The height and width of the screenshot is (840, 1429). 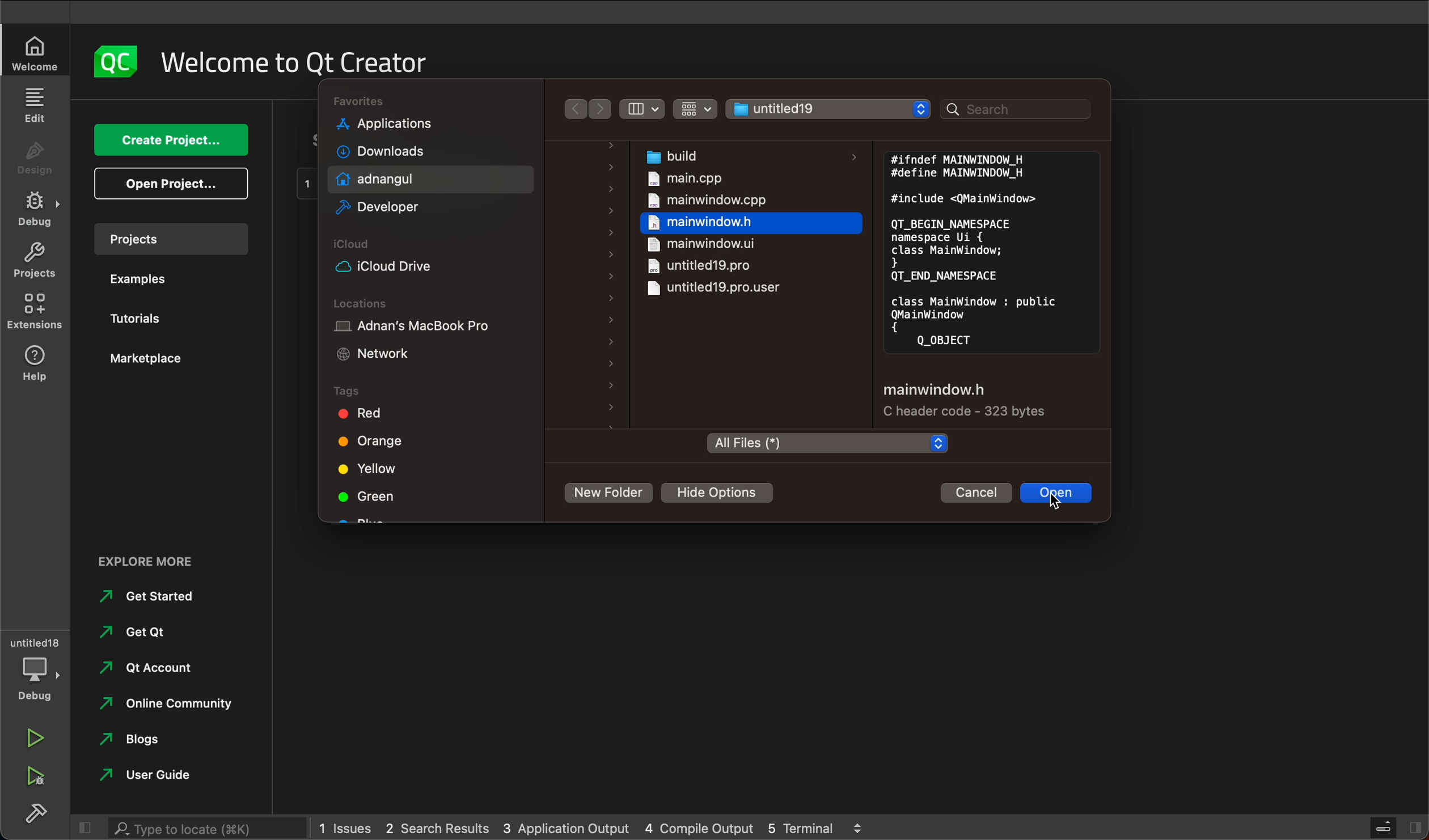 What do you see at coordinates (176, 705) in the screenshot?
I see `online community` at bounding box center [176, 705].